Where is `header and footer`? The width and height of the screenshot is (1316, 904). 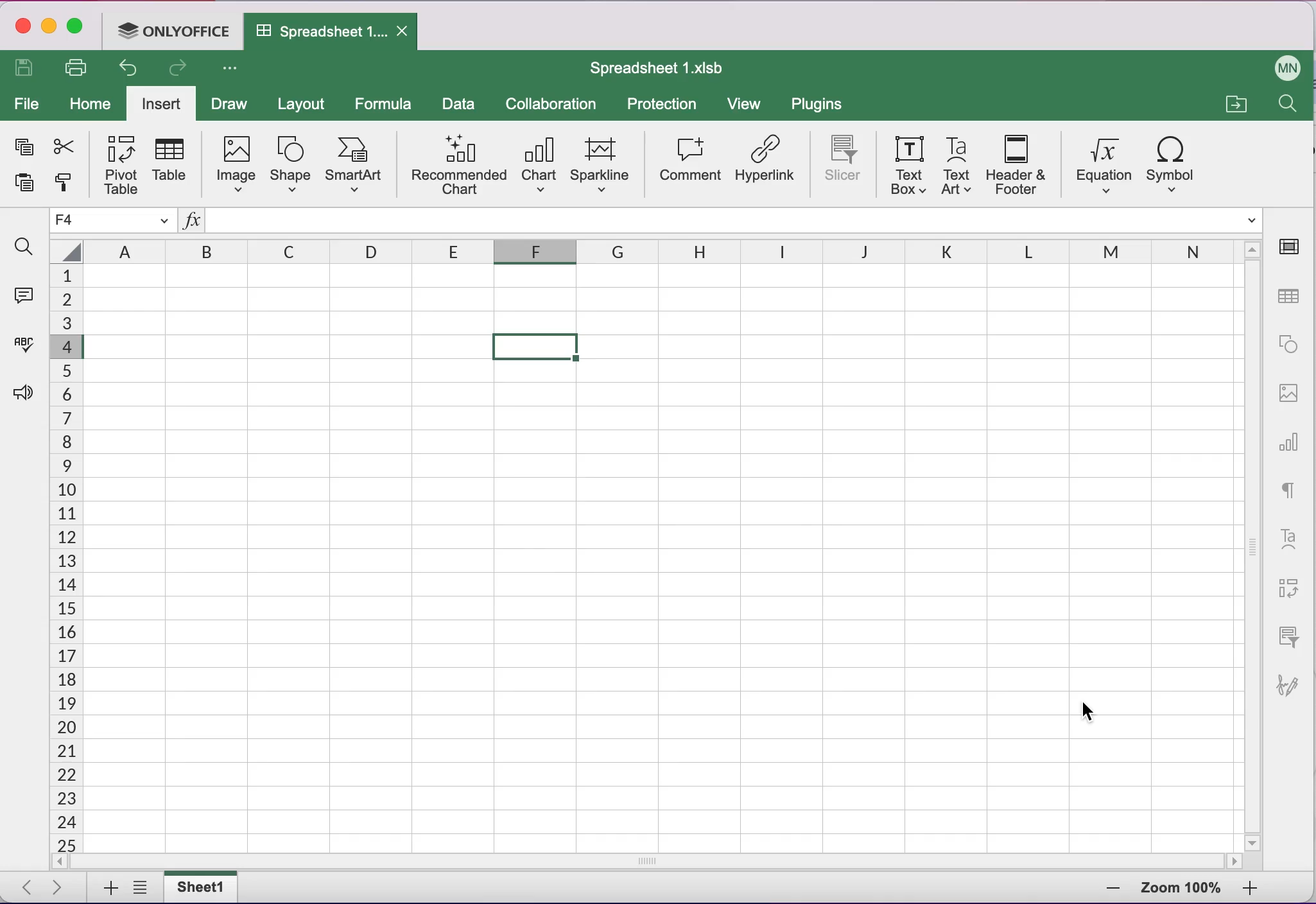
header and footer is located at coordinates (1014, 165).